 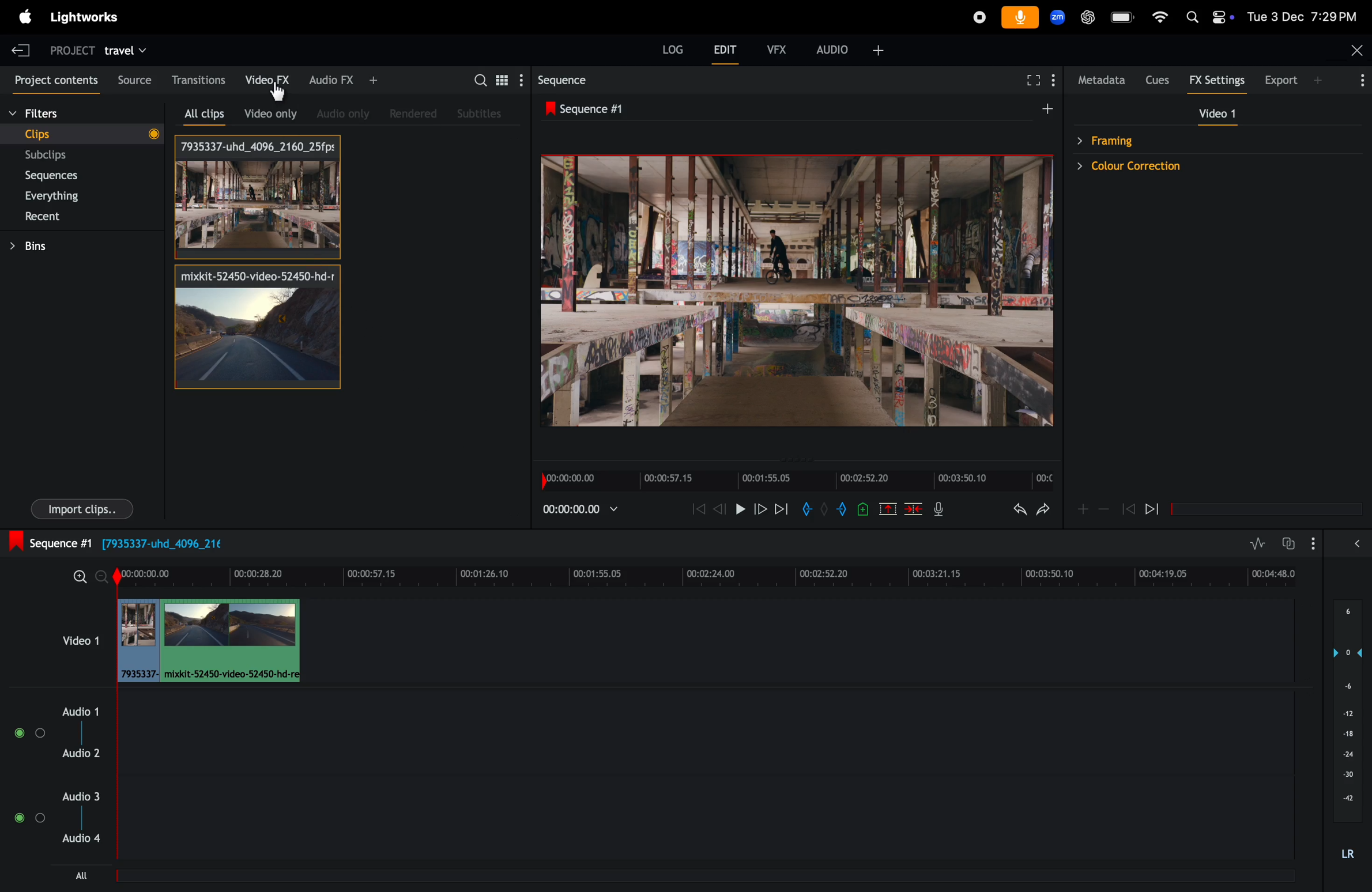 What do you see at coordinates (806, 510) in the screenshot?
I see `add in` at bounding box center [806, 510].